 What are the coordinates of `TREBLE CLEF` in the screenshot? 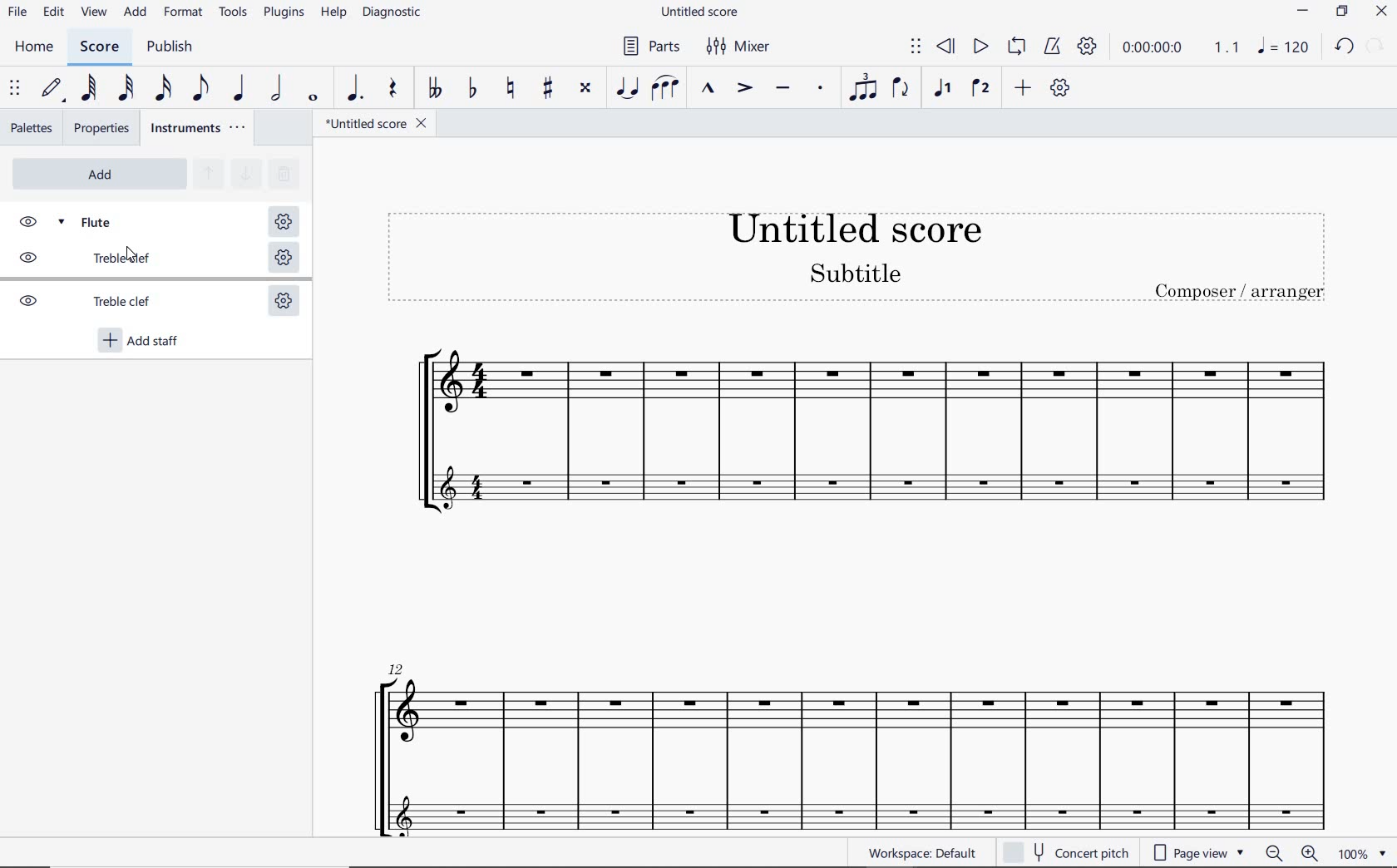 It's located at (102, 303).